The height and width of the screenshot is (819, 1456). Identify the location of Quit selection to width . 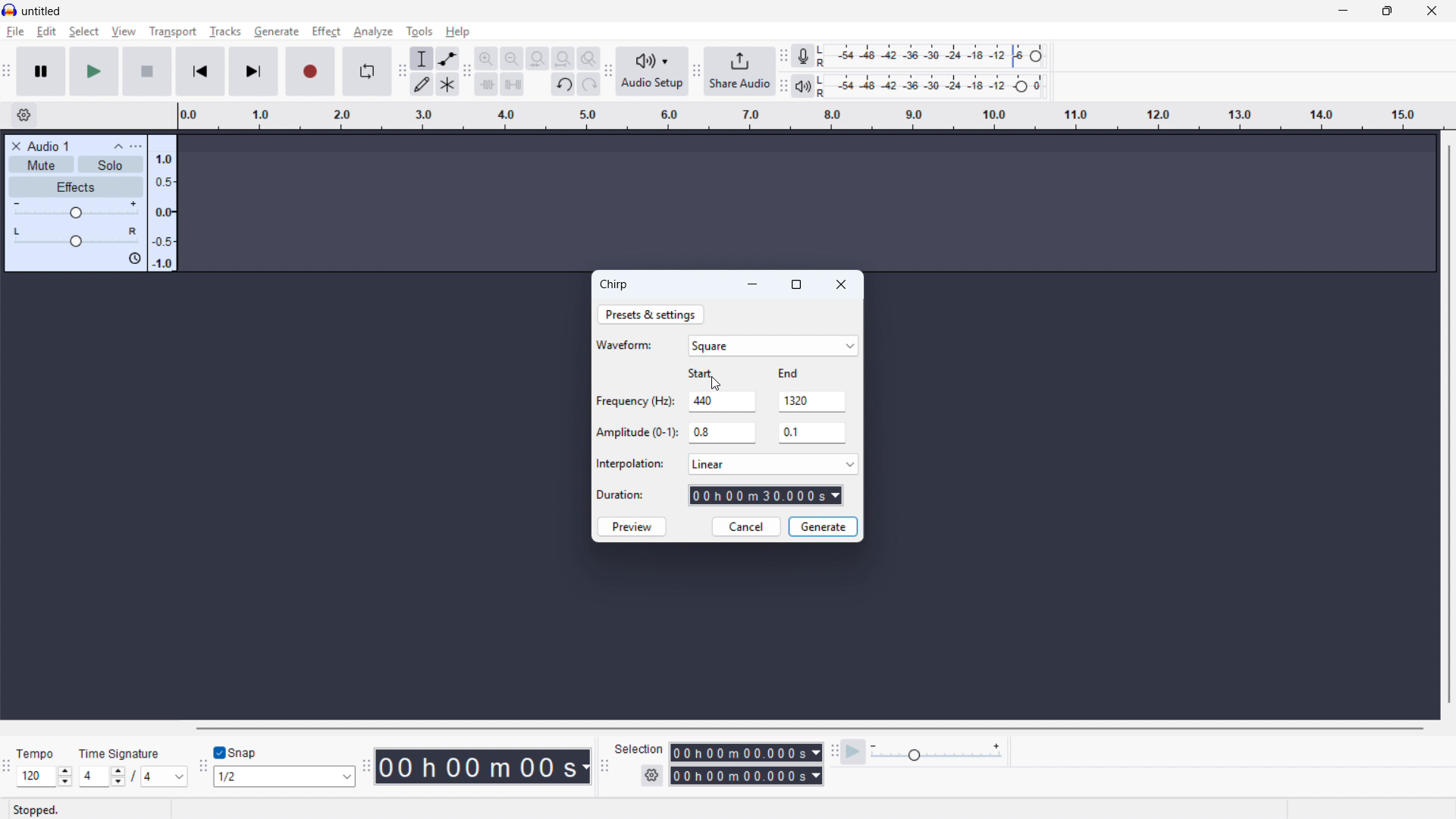
(538, 59).